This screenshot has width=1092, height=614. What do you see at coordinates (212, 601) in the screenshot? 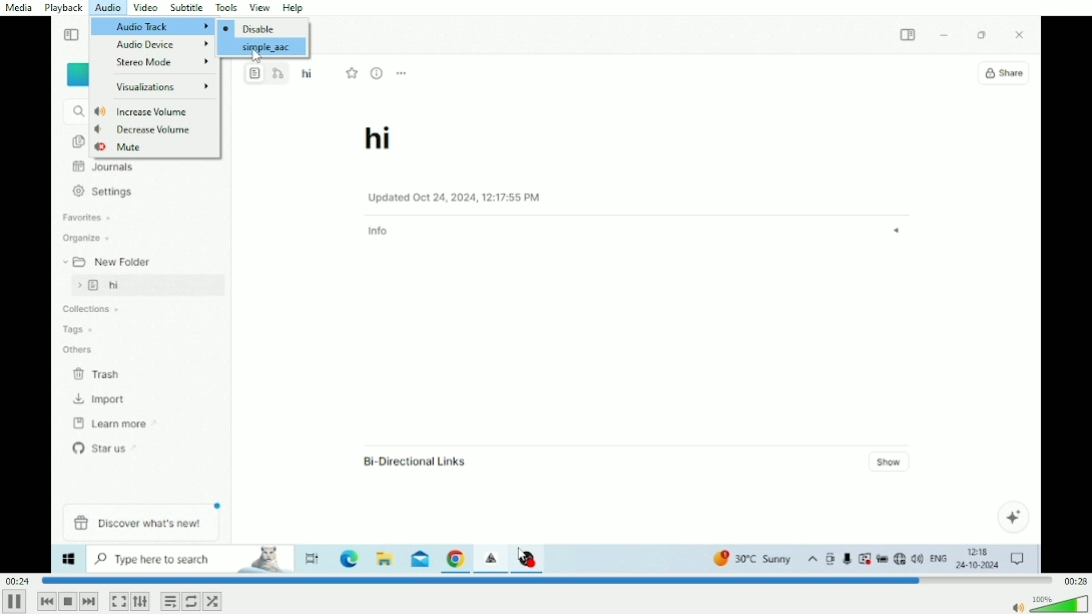
I see `Random` at bounding box center [212, 601].